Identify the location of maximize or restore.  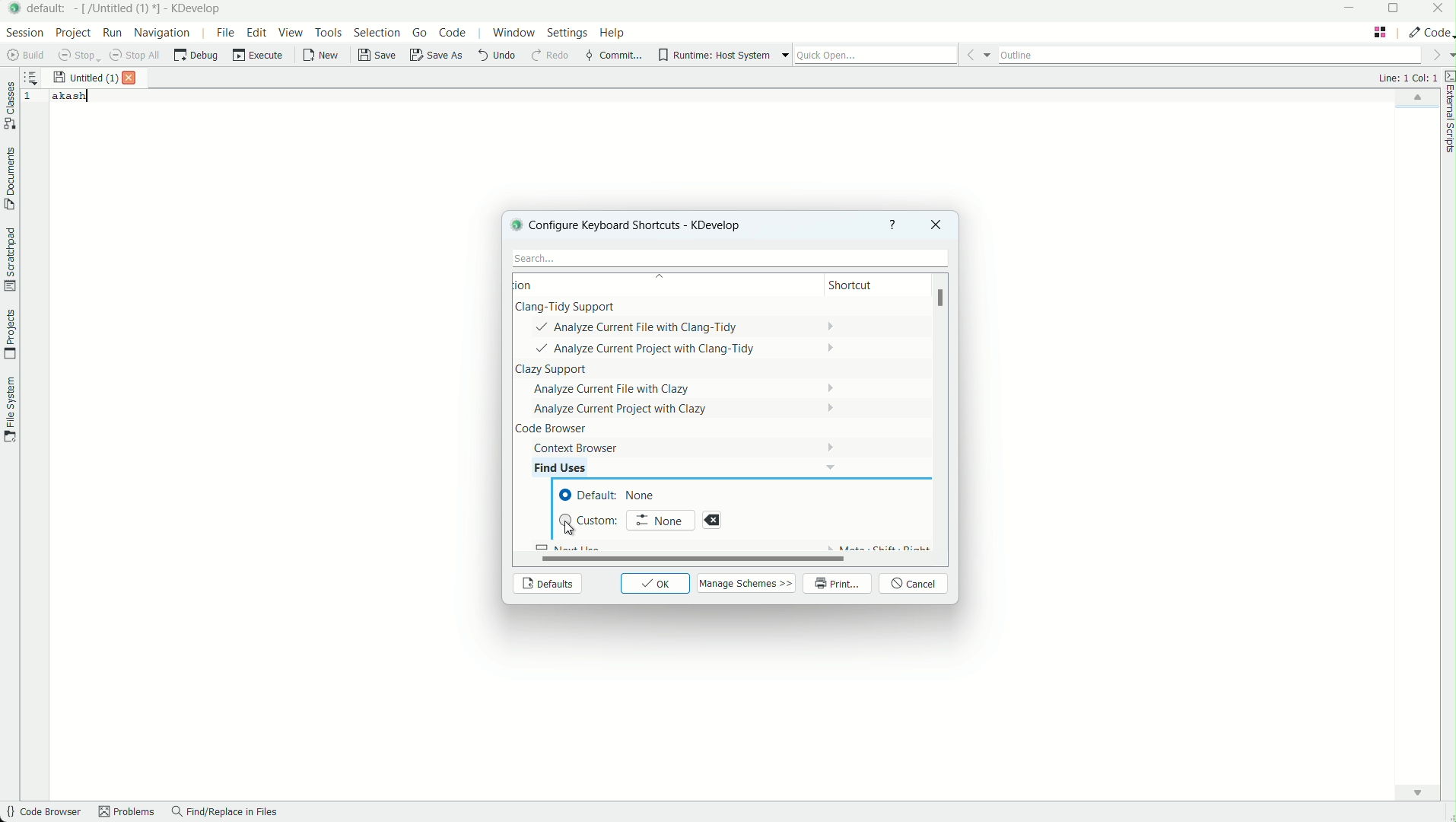
(1397, 10).